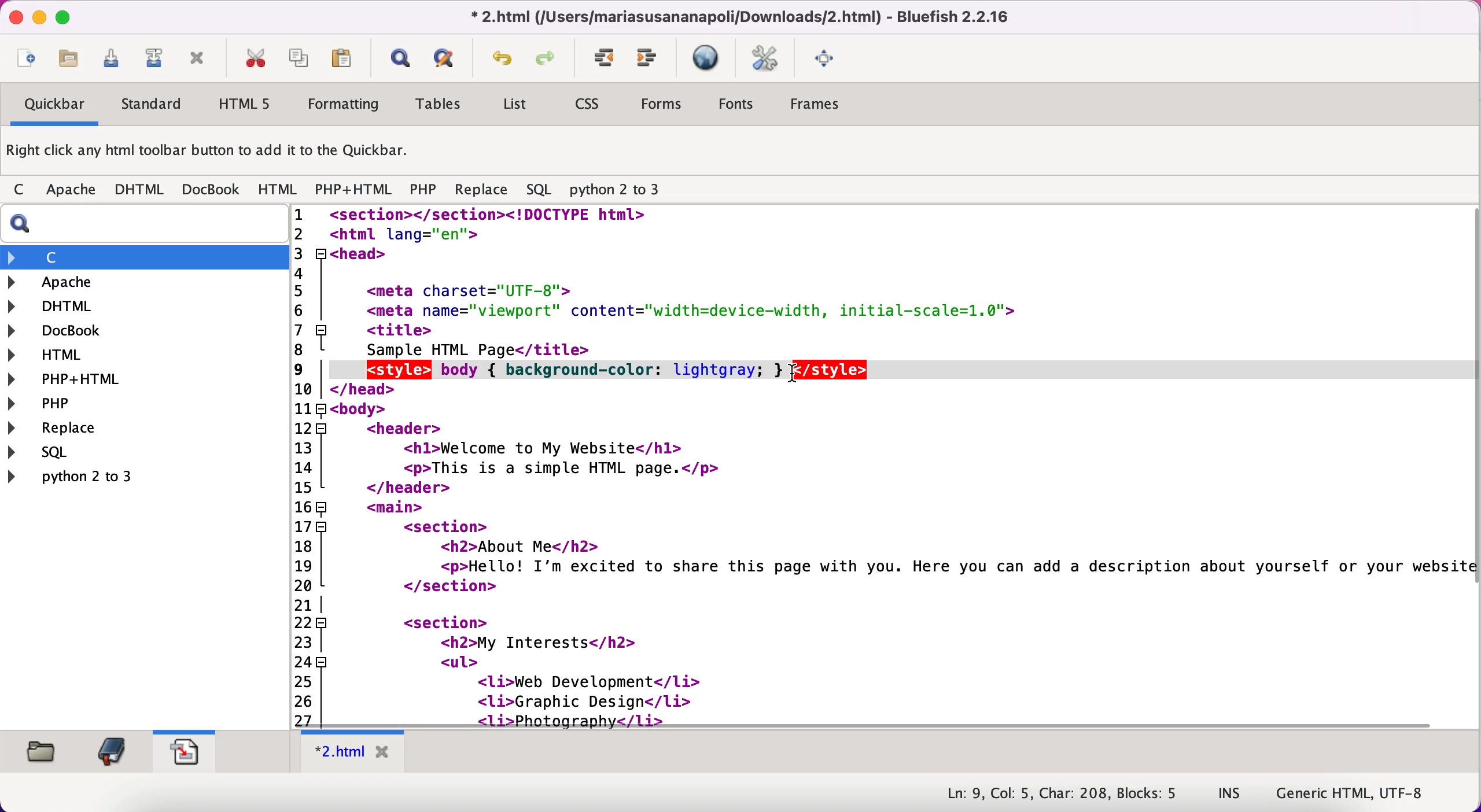  What do you see at coordinates (43, 752) in the screenshot?
I see `filebrowser` at bounding box center [43, 752].